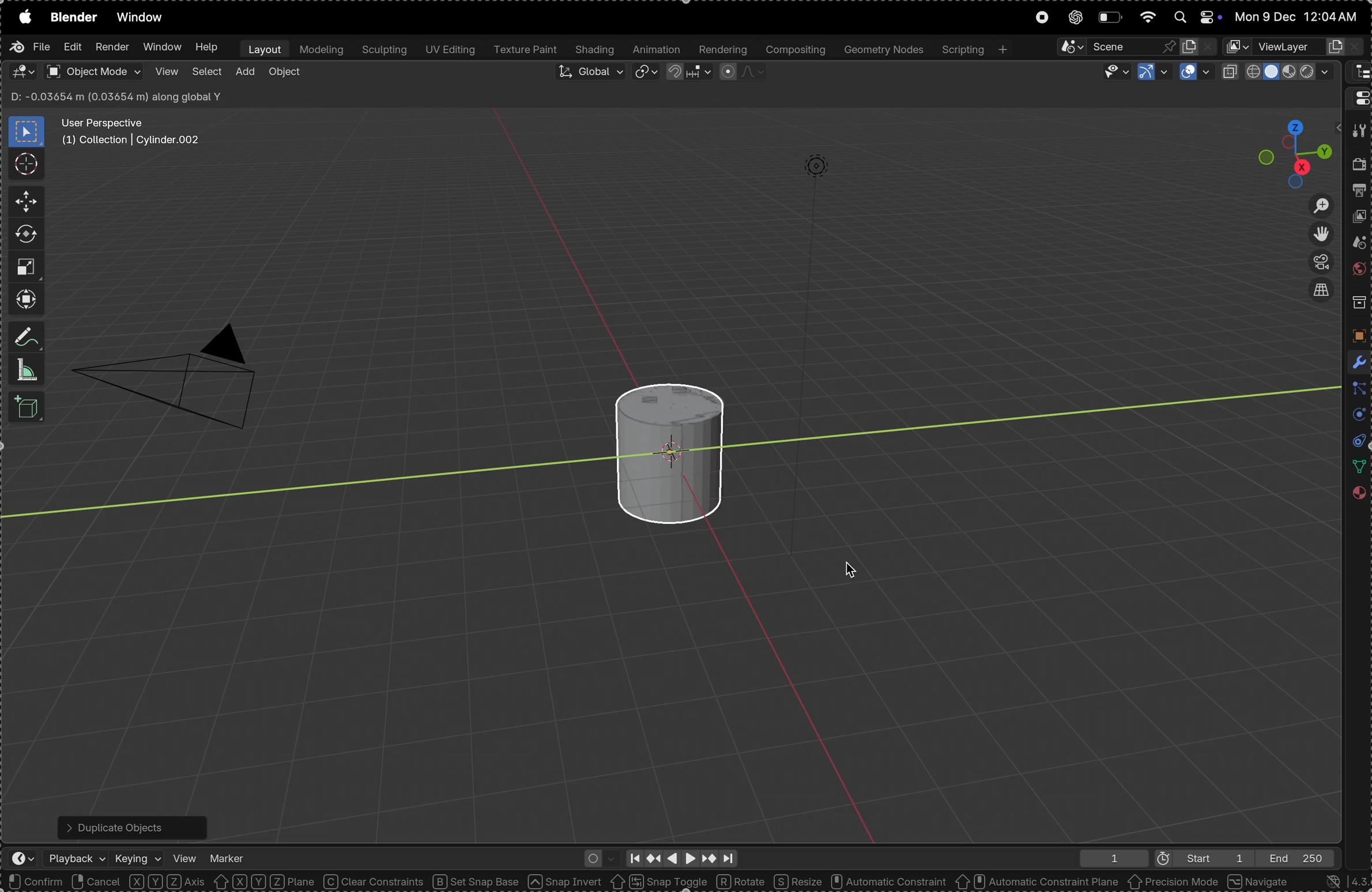 This screenshot has width=1372, height=892. I want to click on play back , so click(77, 858).